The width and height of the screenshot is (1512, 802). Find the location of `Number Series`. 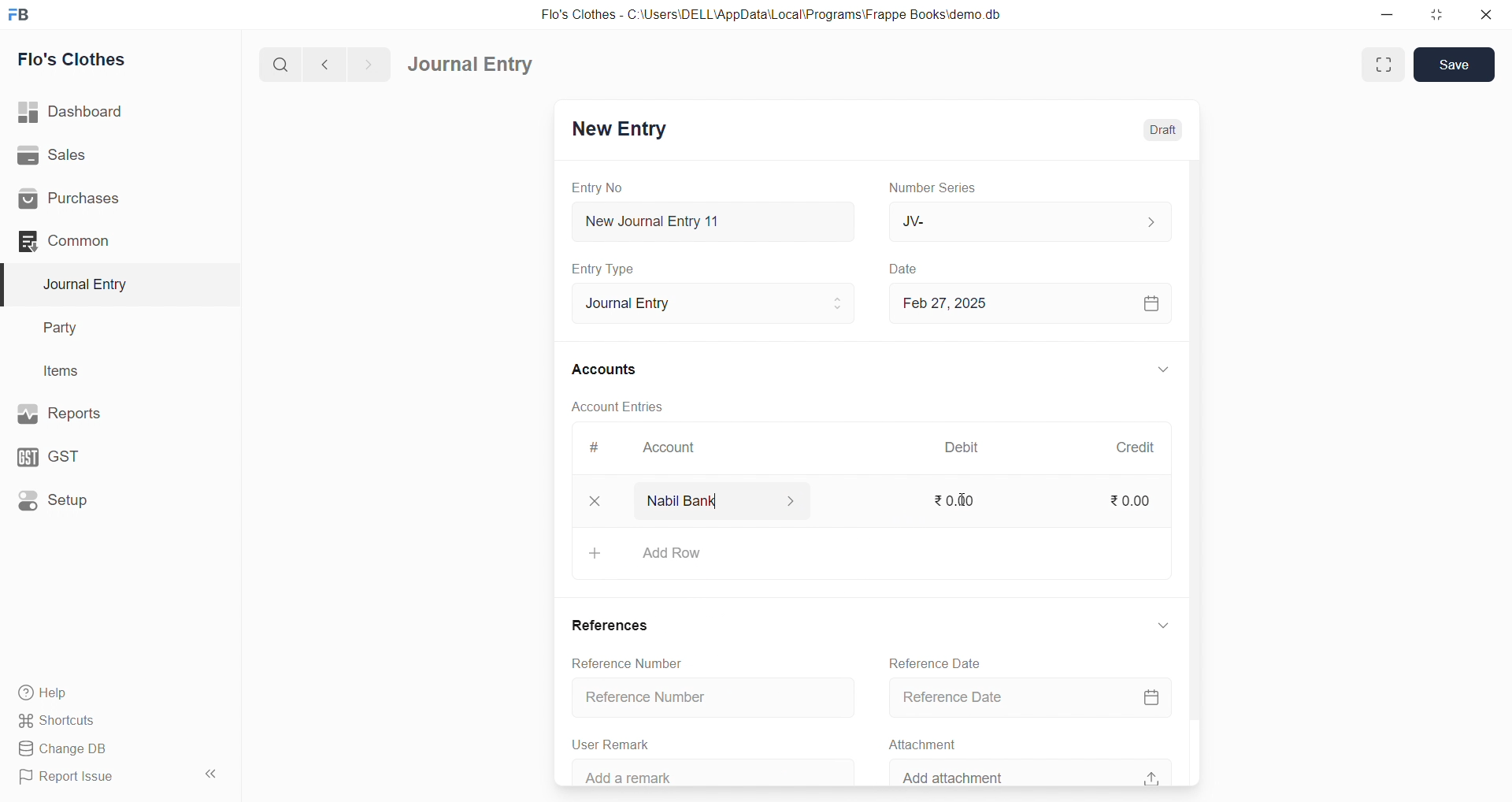

Number Series is located at coordinates (939, 188).